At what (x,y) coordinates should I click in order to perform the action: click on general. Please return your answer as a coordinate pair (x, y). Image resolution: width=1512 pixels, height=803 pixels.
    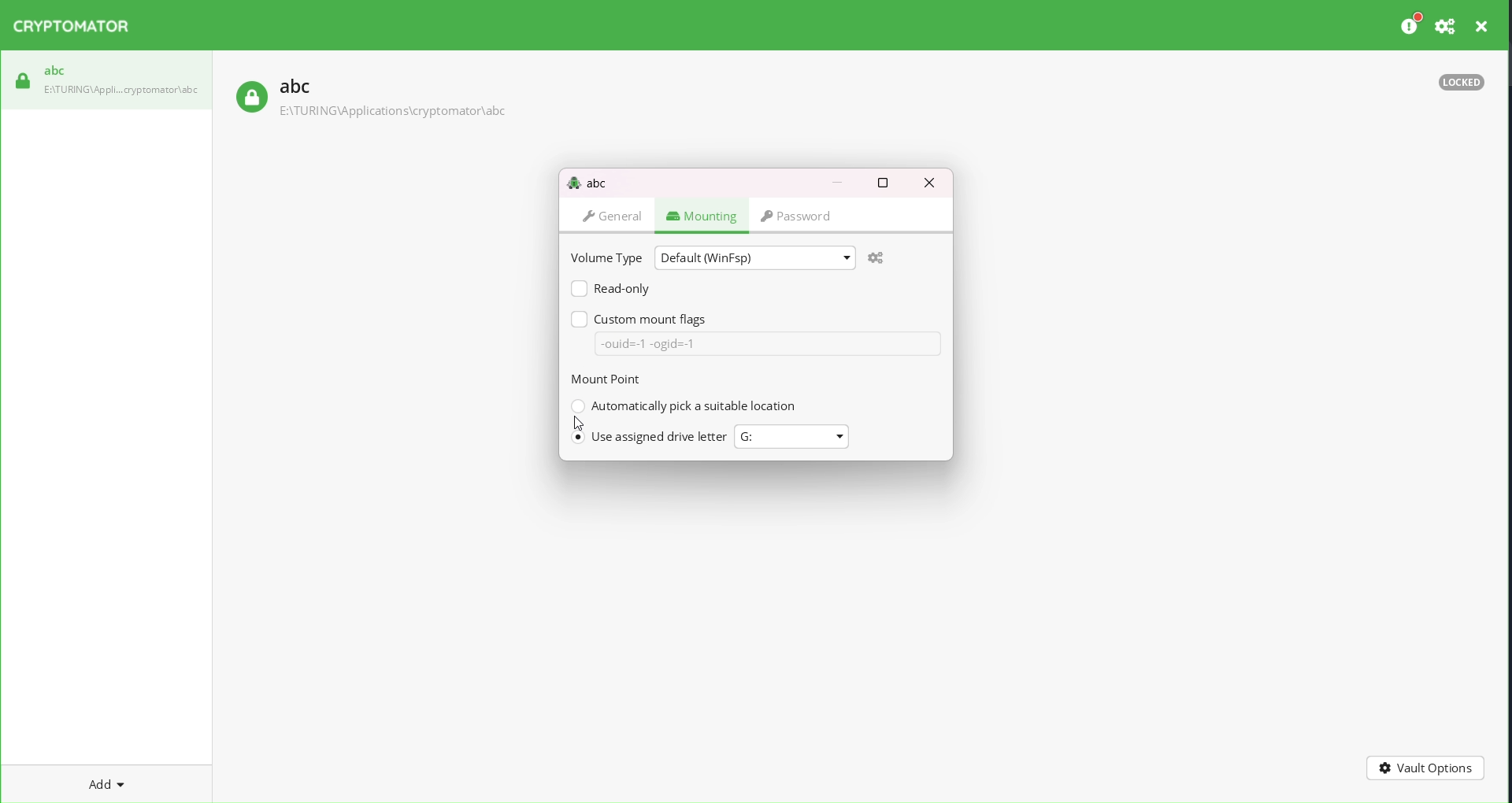
    Looking at the image, I should click on (613, 216).